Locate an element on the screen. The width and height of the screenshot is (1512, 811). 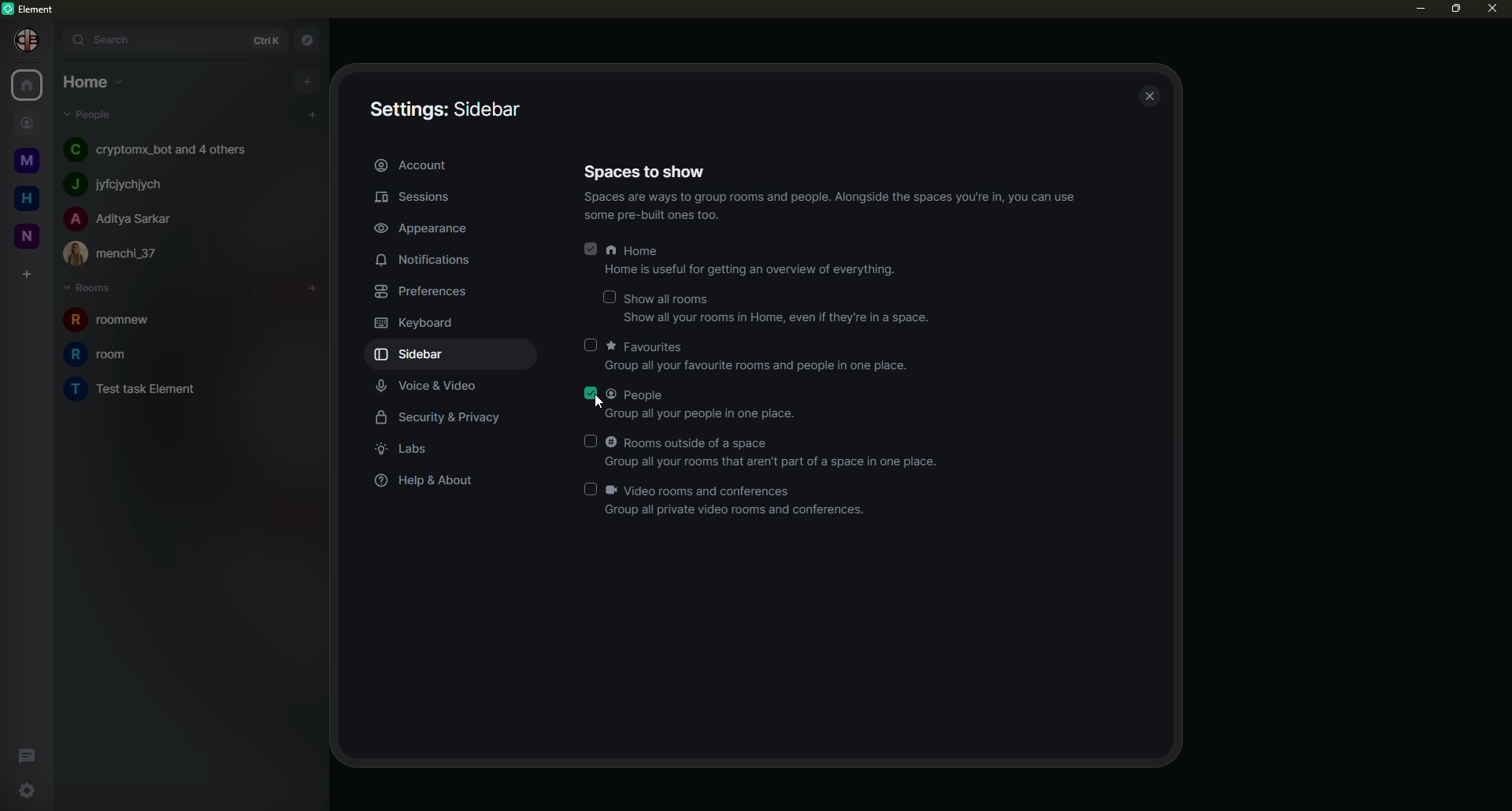
help & about is located at coordinates (428, 481).